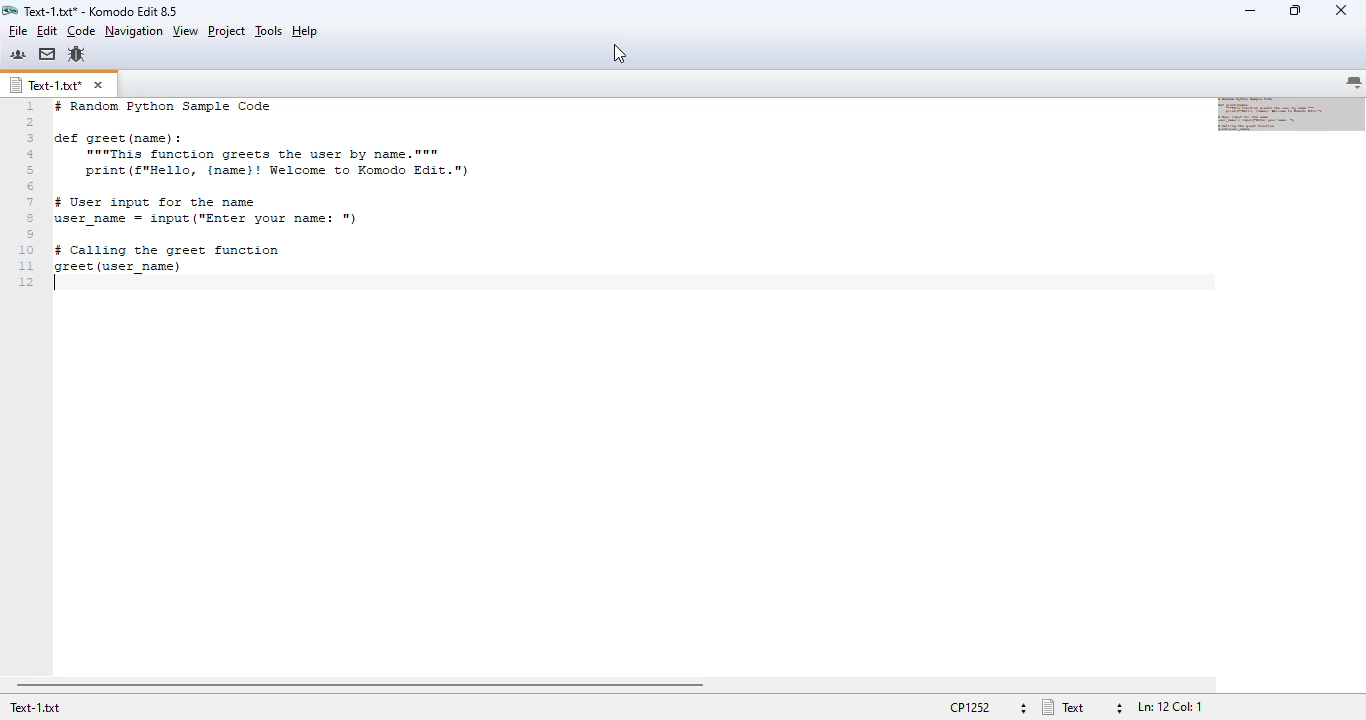  Describe the element at coordinates (45, 85) in the screenshot. I see `text-1` at that location.